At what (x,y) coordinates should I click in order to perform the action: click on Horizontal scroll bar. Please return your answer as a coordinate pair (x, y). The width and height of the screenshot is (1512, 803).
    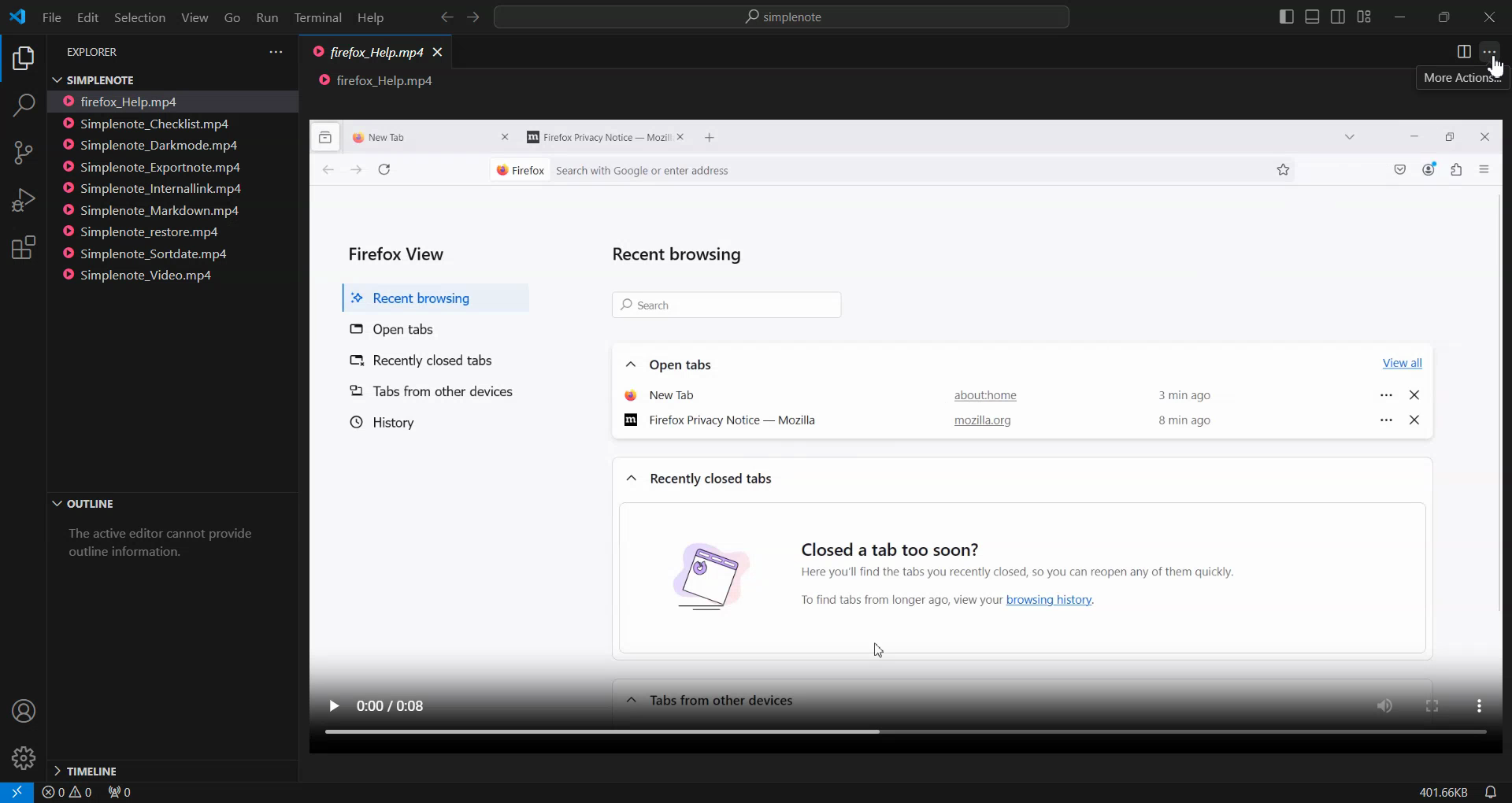
    Looking at the image, I should click on (890, 735).